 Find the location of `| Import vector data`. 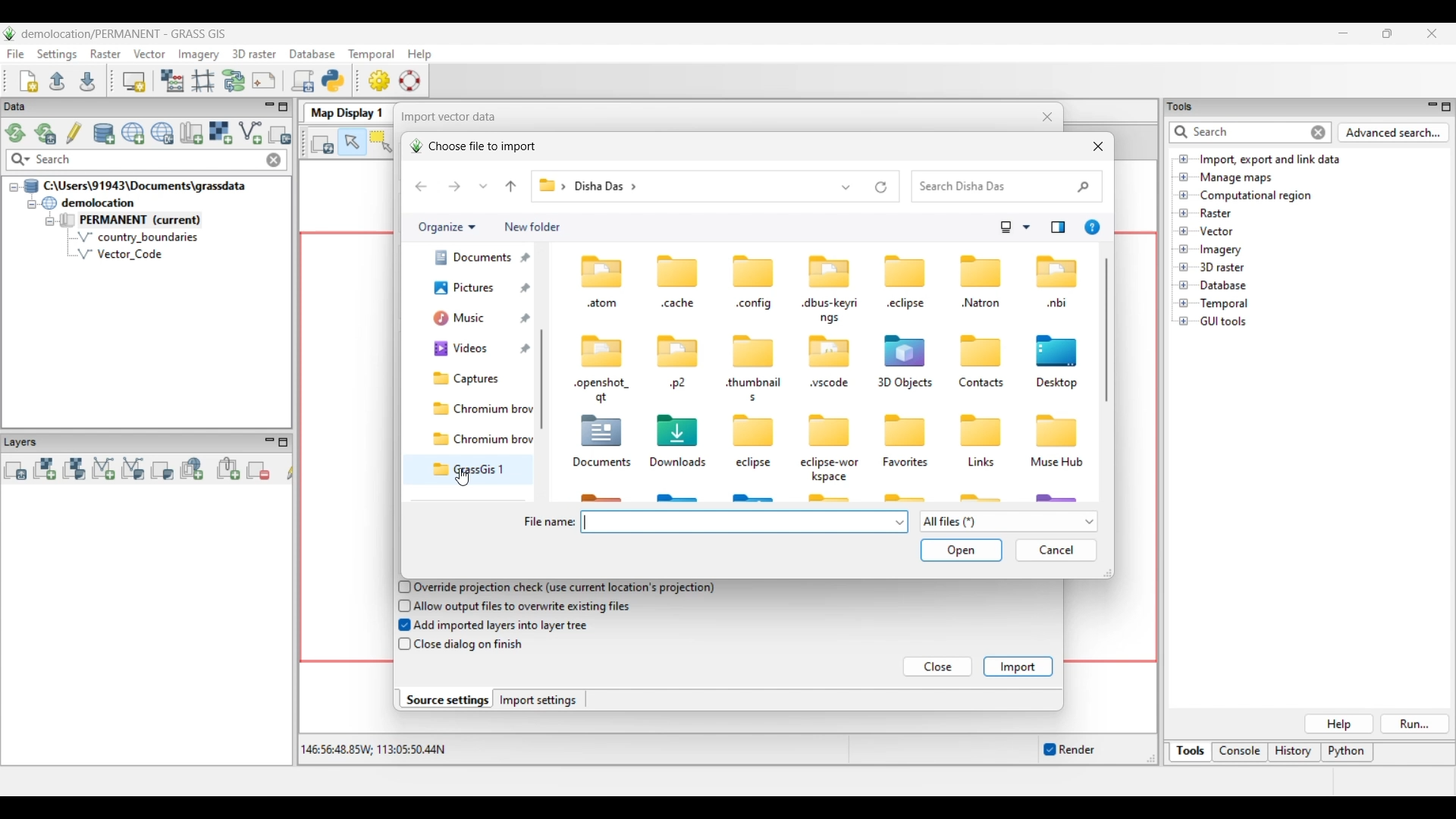

| Import vector data is located at coordinates (444, 117).